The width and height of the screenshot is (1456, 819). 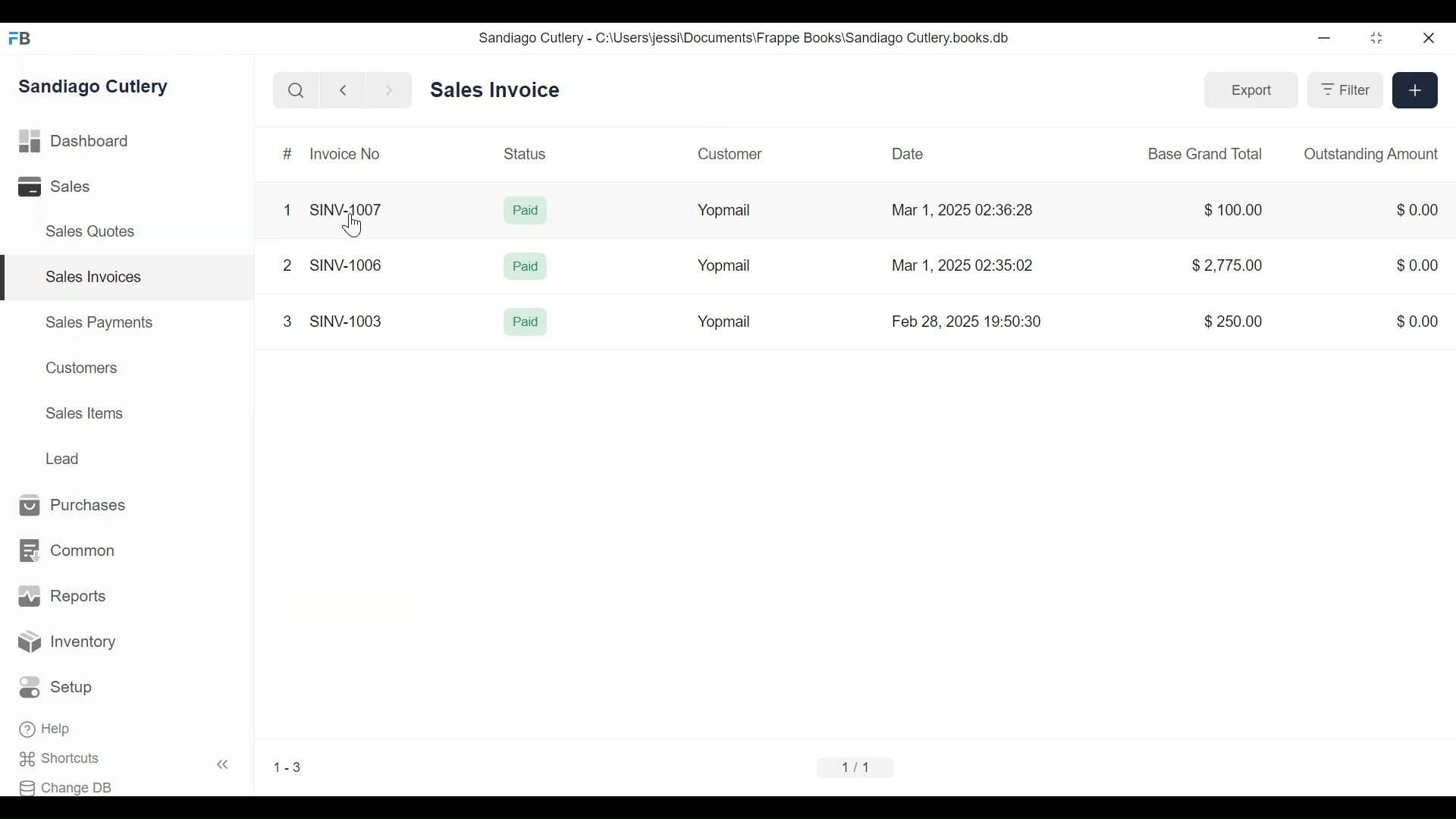 What do you see at coordinates (73, 504) in the screenshot?
I see `Purchases` at bounding box center [73, 504].